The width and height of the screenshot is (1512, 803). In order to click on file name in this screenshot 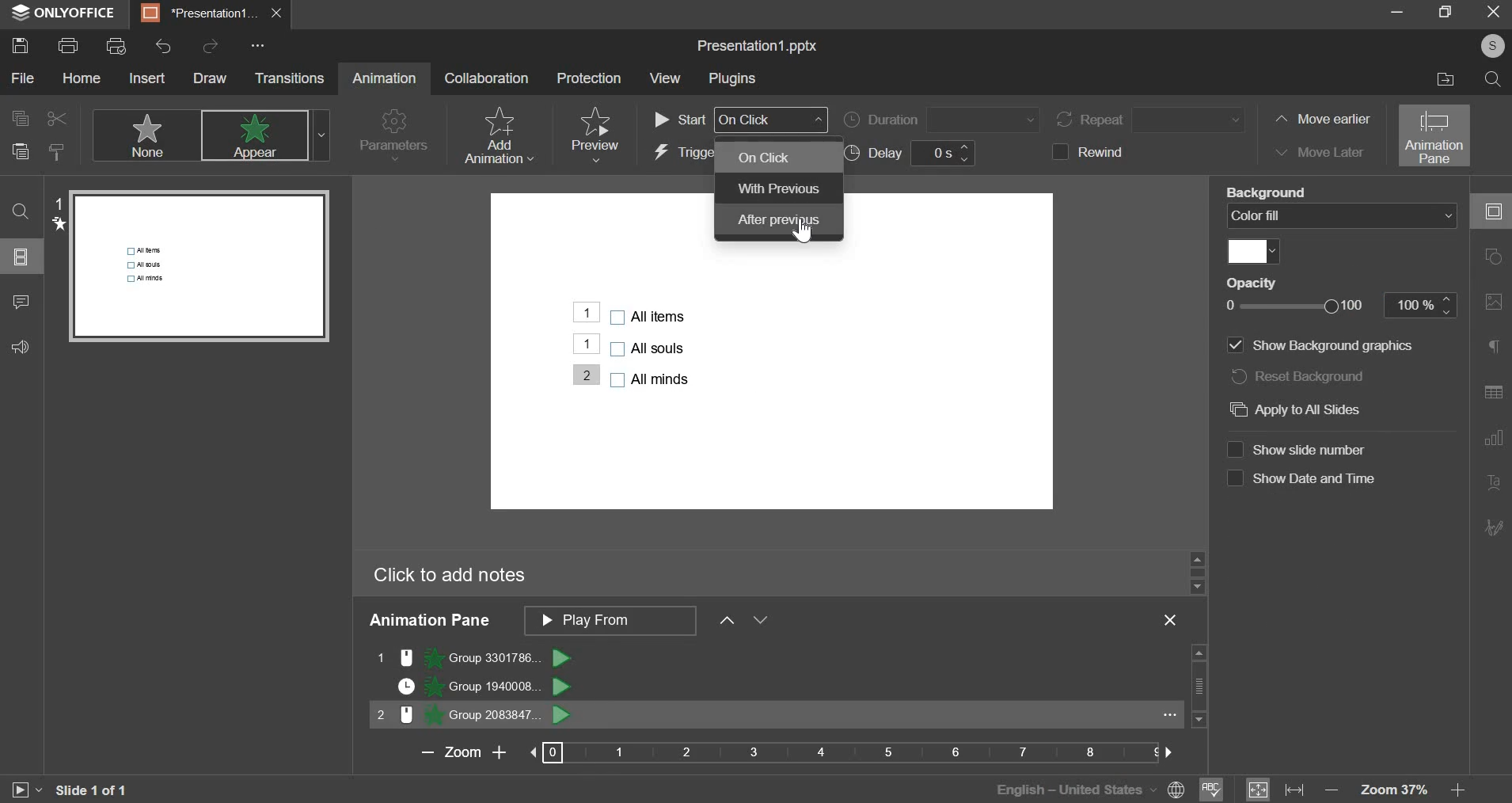, I will do `click(758, 47)`.